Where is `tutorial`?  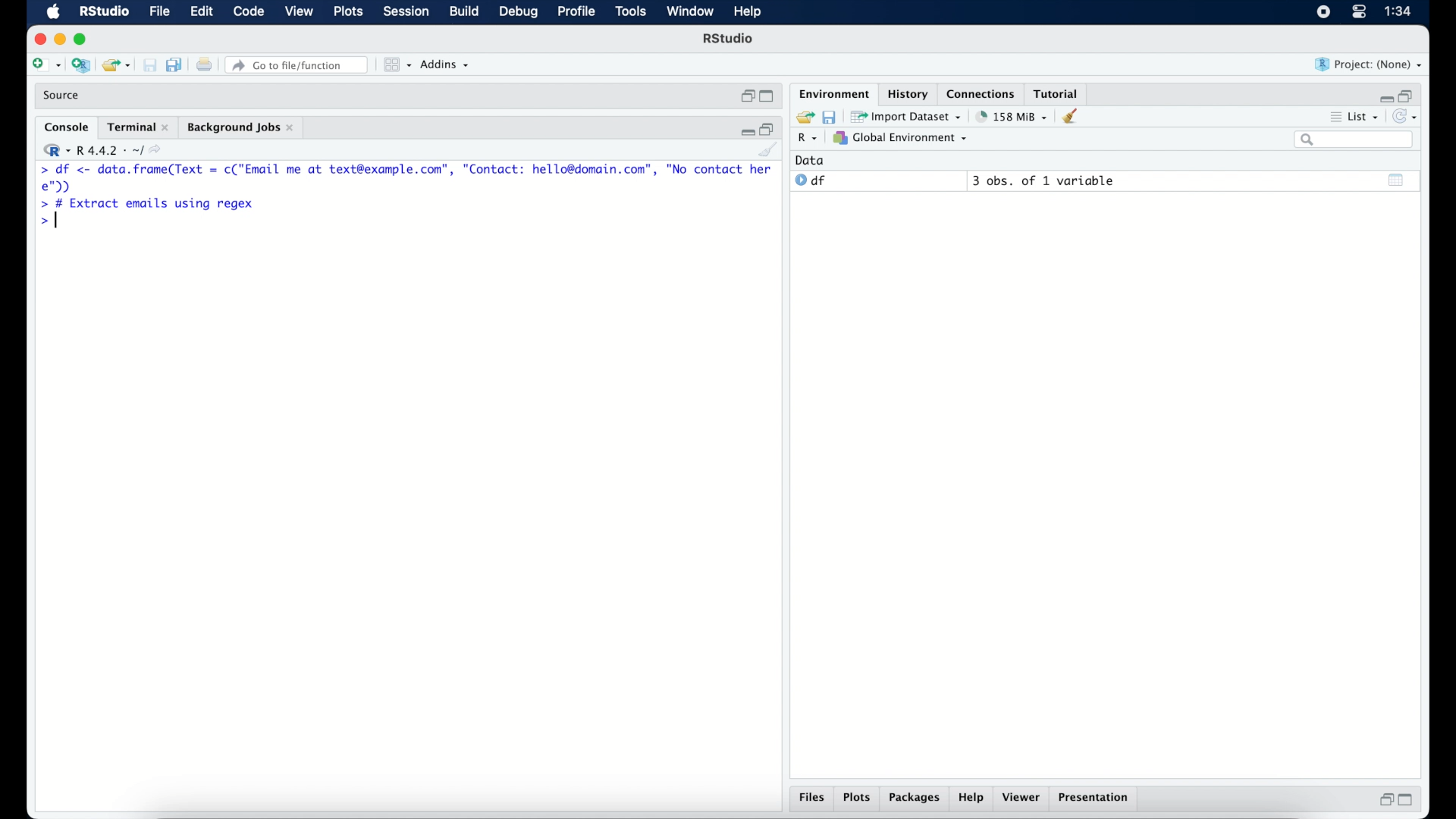 tutorial is located at coordinates (1059, 92).